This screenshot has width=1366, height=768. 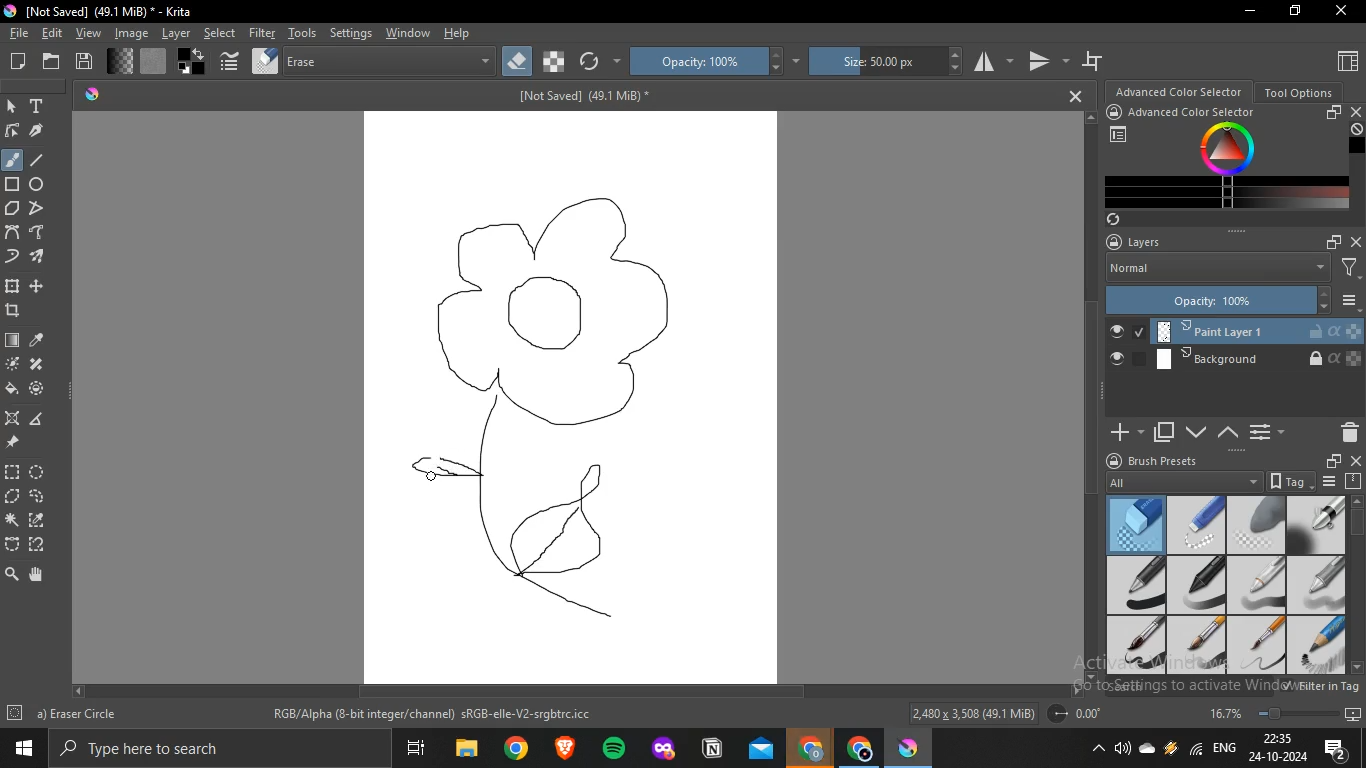 I want to click on Close, so click(x=1070, y=95).